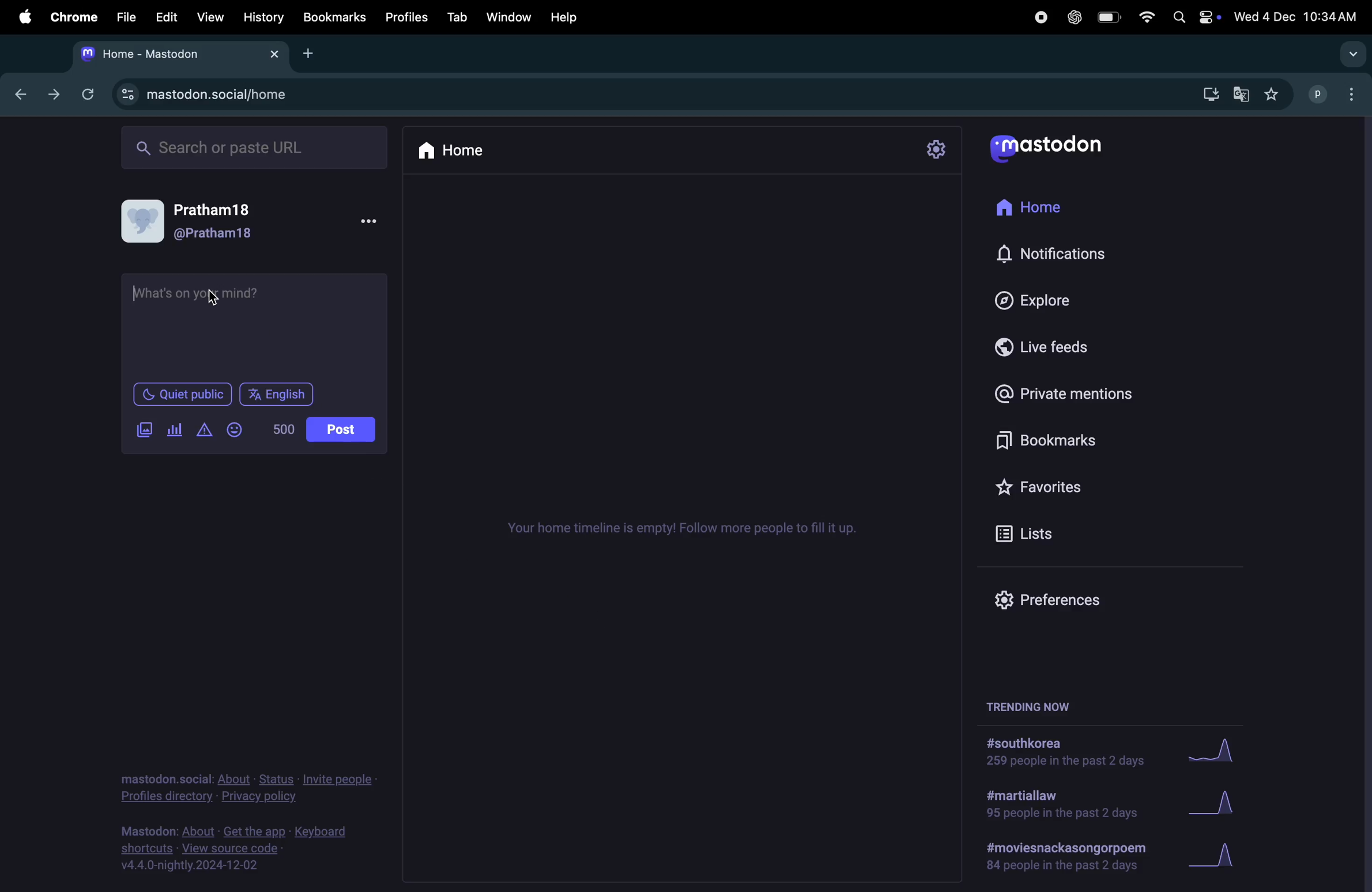  I want to click on Search or paste url, so click(257, 147).